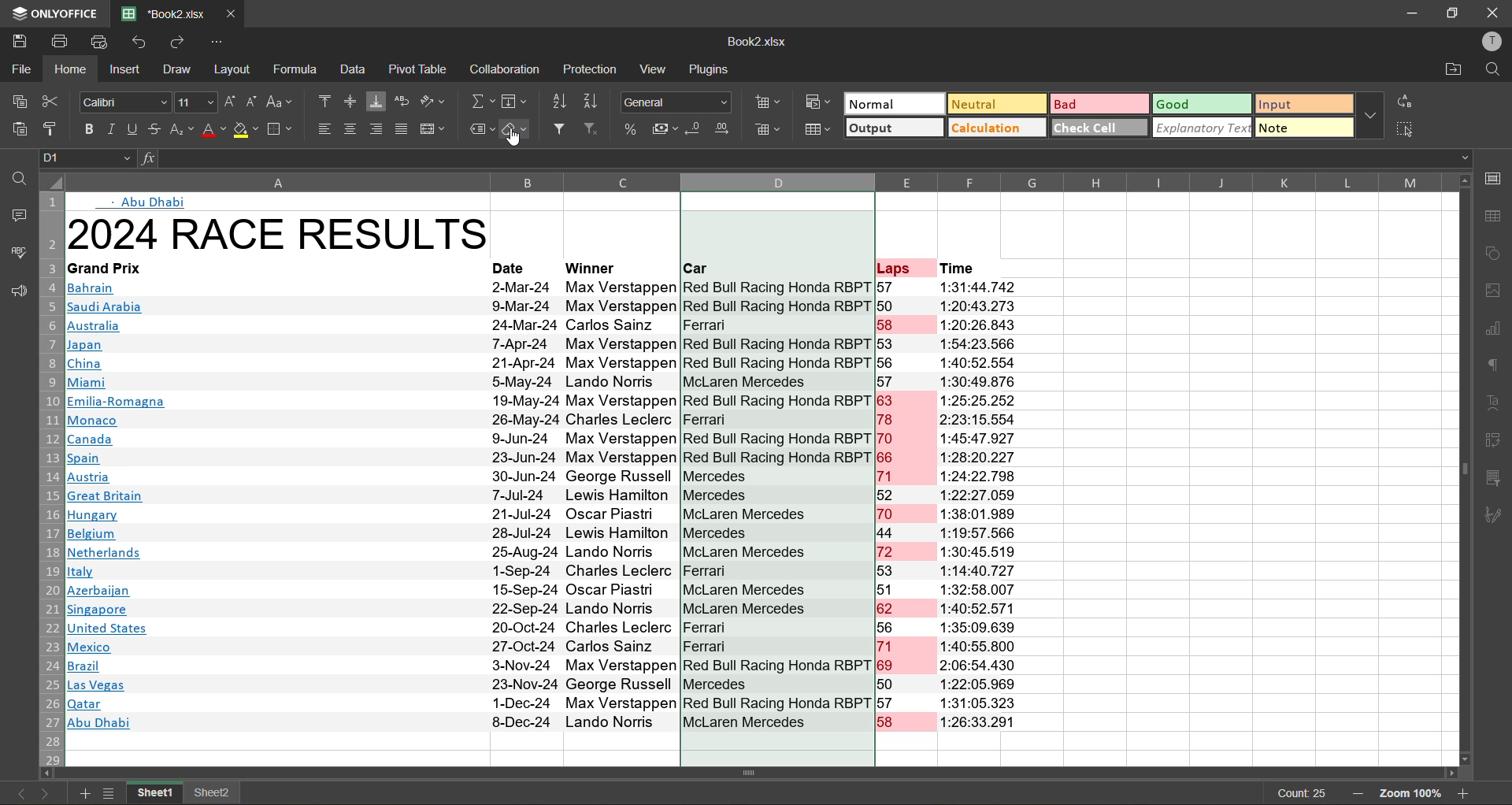  I want to click on align top, so click(323, 101).